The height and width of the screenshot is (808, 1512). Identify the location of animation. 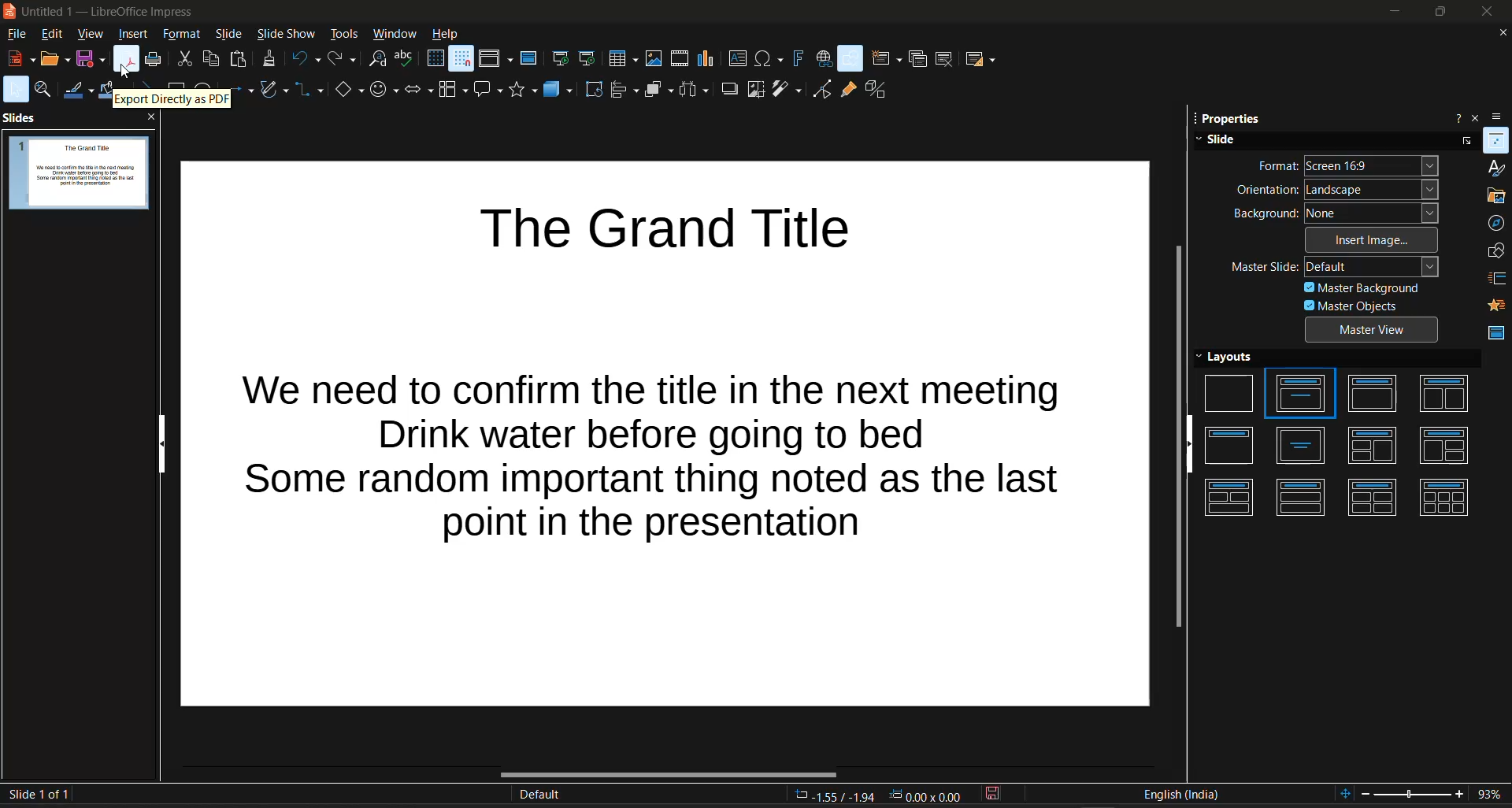
(1498, 305).